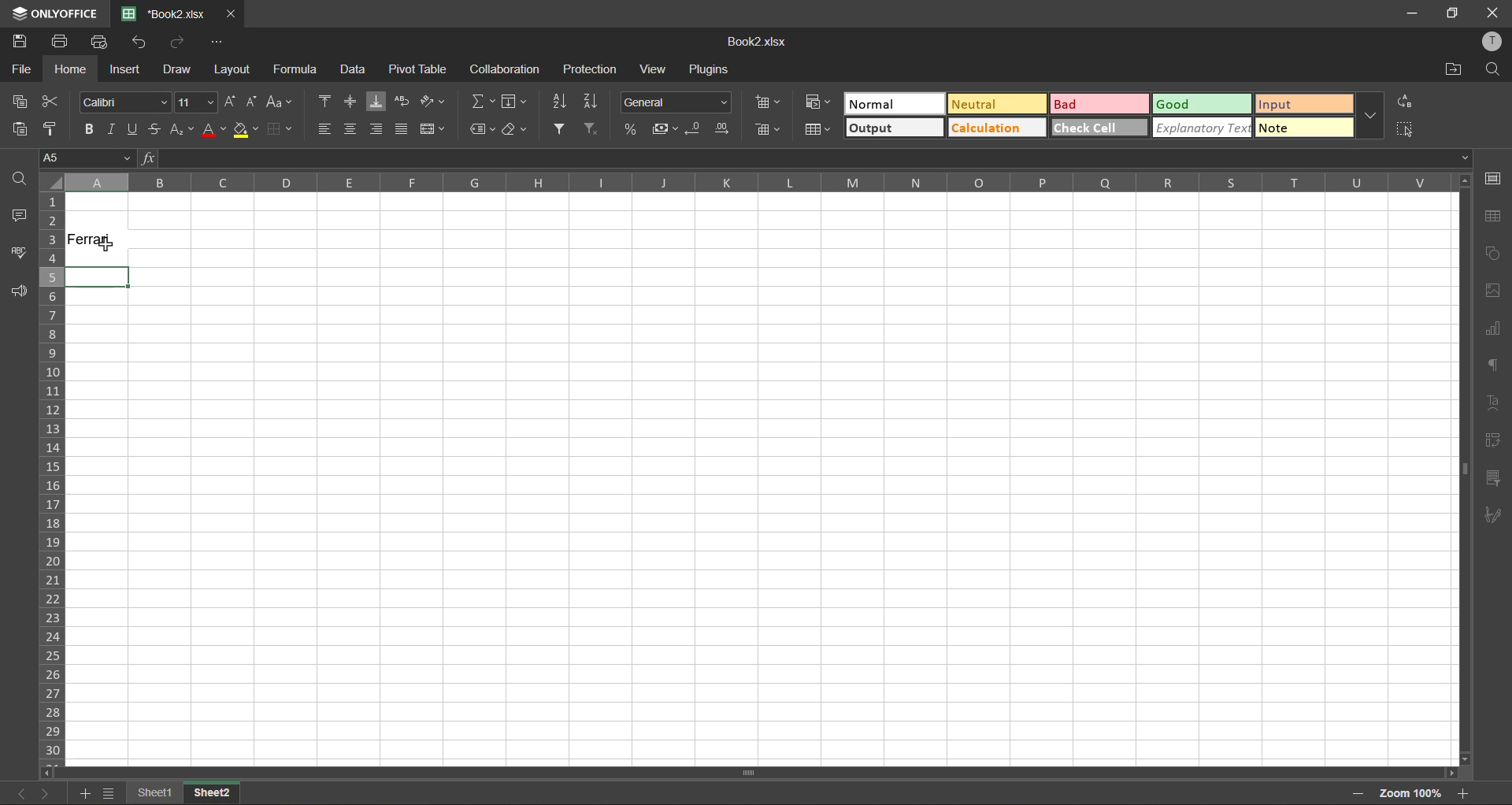 The width and height of the screenshot is (1512, 805). What do you see at coordinates (280, 129) in the screenshot?
I see `borders` at bounding box center [280, 129].